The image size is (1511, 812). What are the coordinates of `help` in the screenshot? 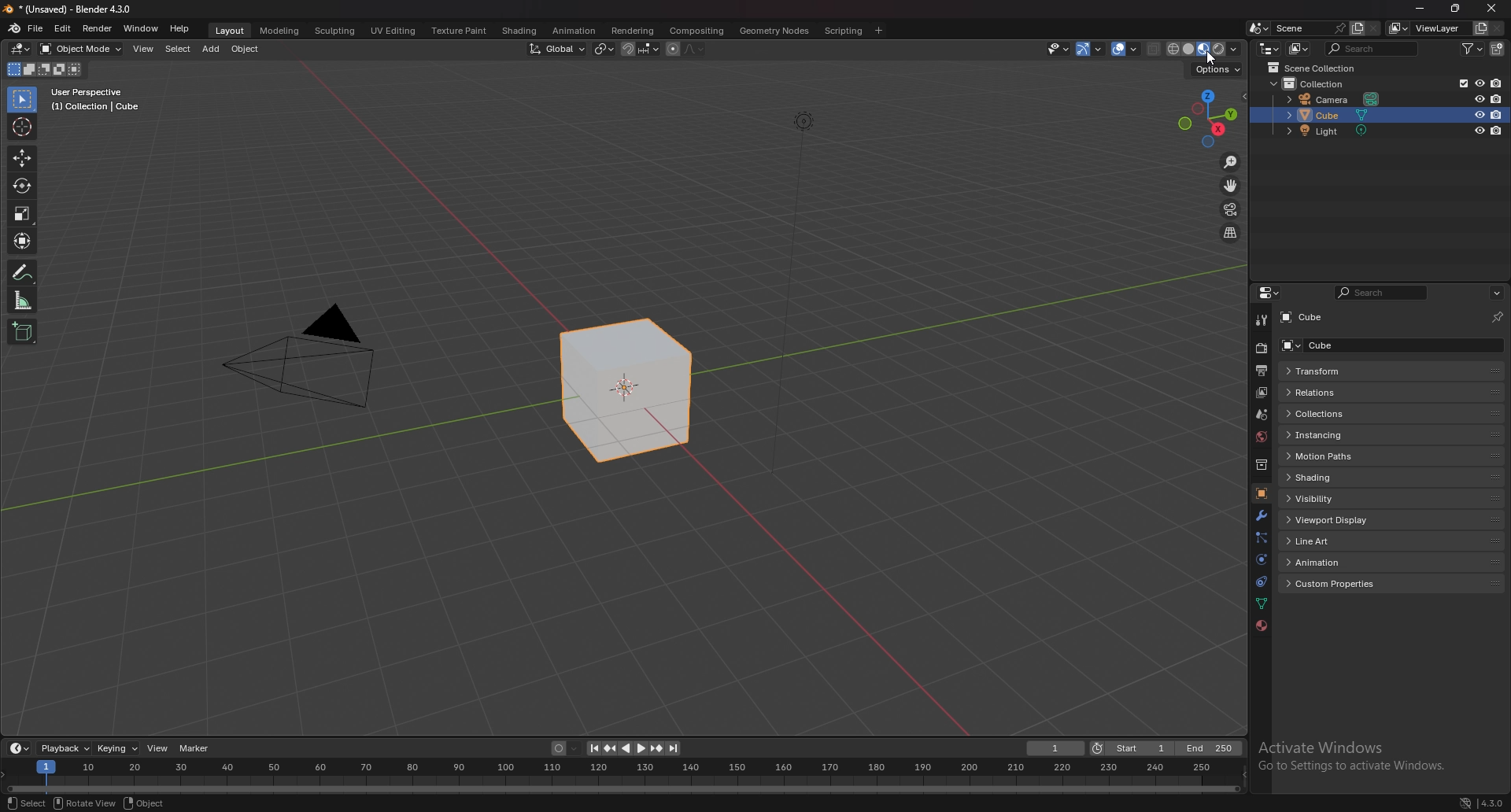 It's located at (180, 29).